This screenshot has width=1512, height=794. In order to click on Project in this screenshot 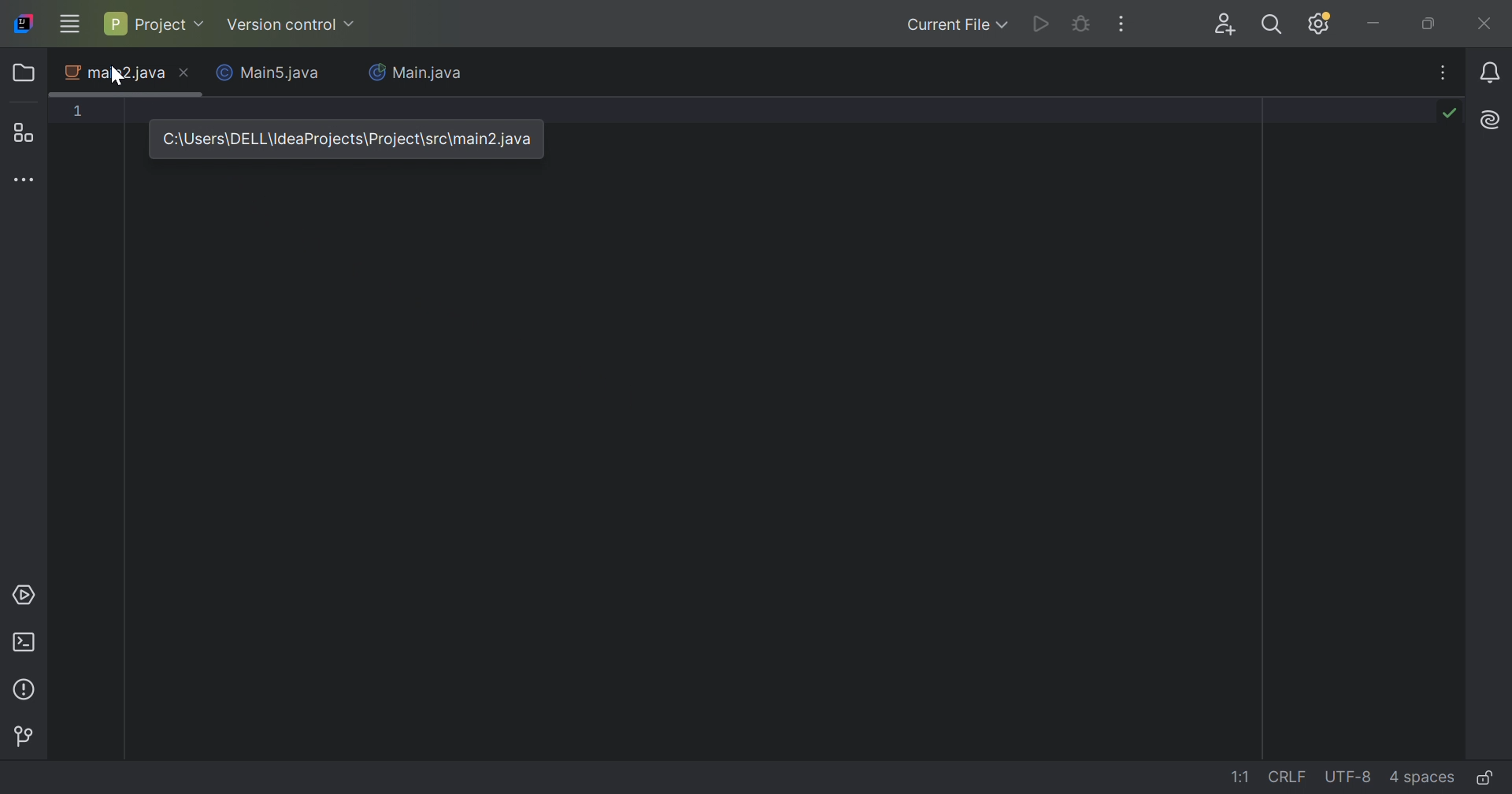, I will do `click(152, 23)`.